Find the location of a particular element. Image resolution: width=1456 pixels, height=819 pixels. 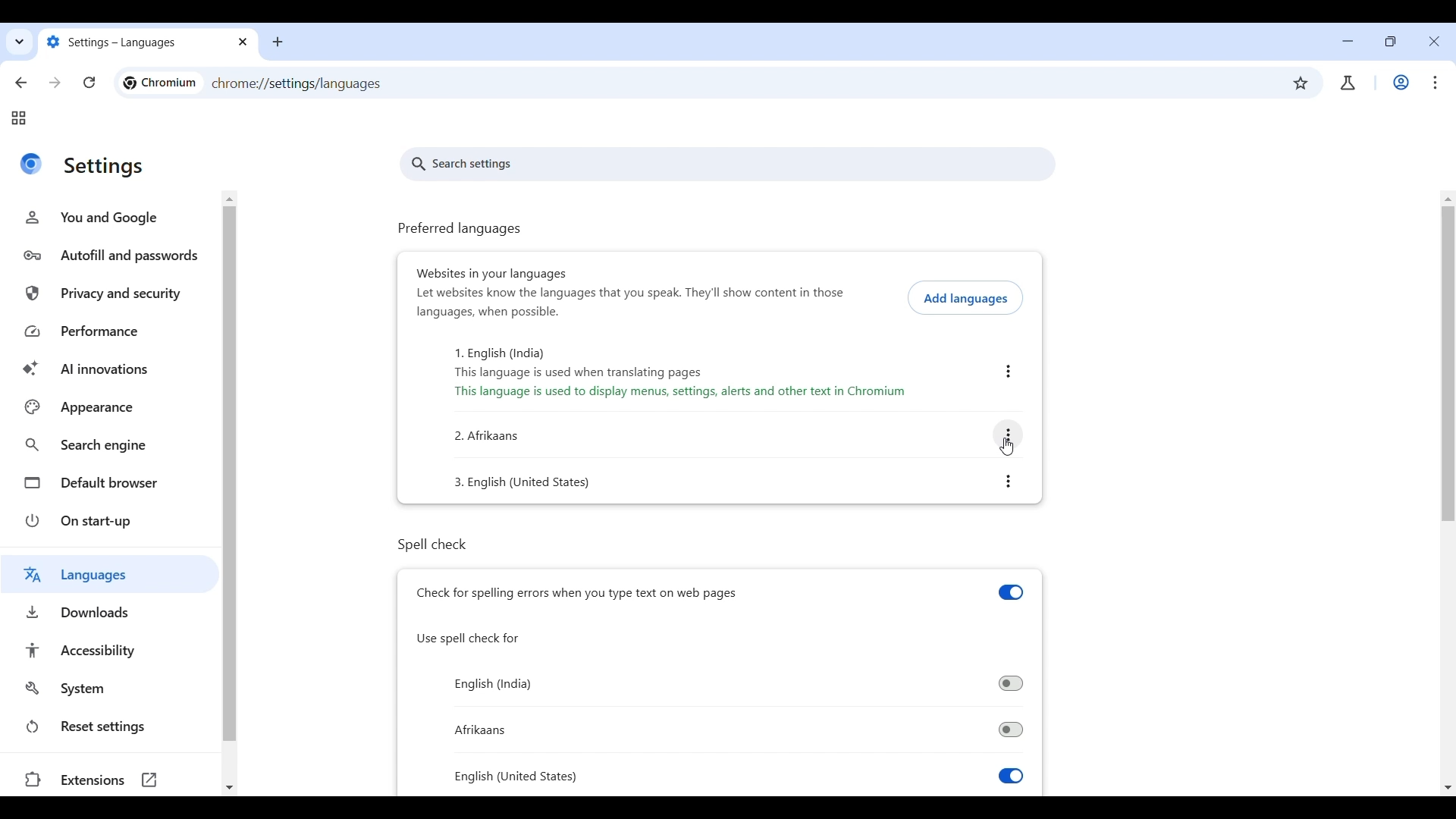

Add languages is located at coordinates (965, 298).